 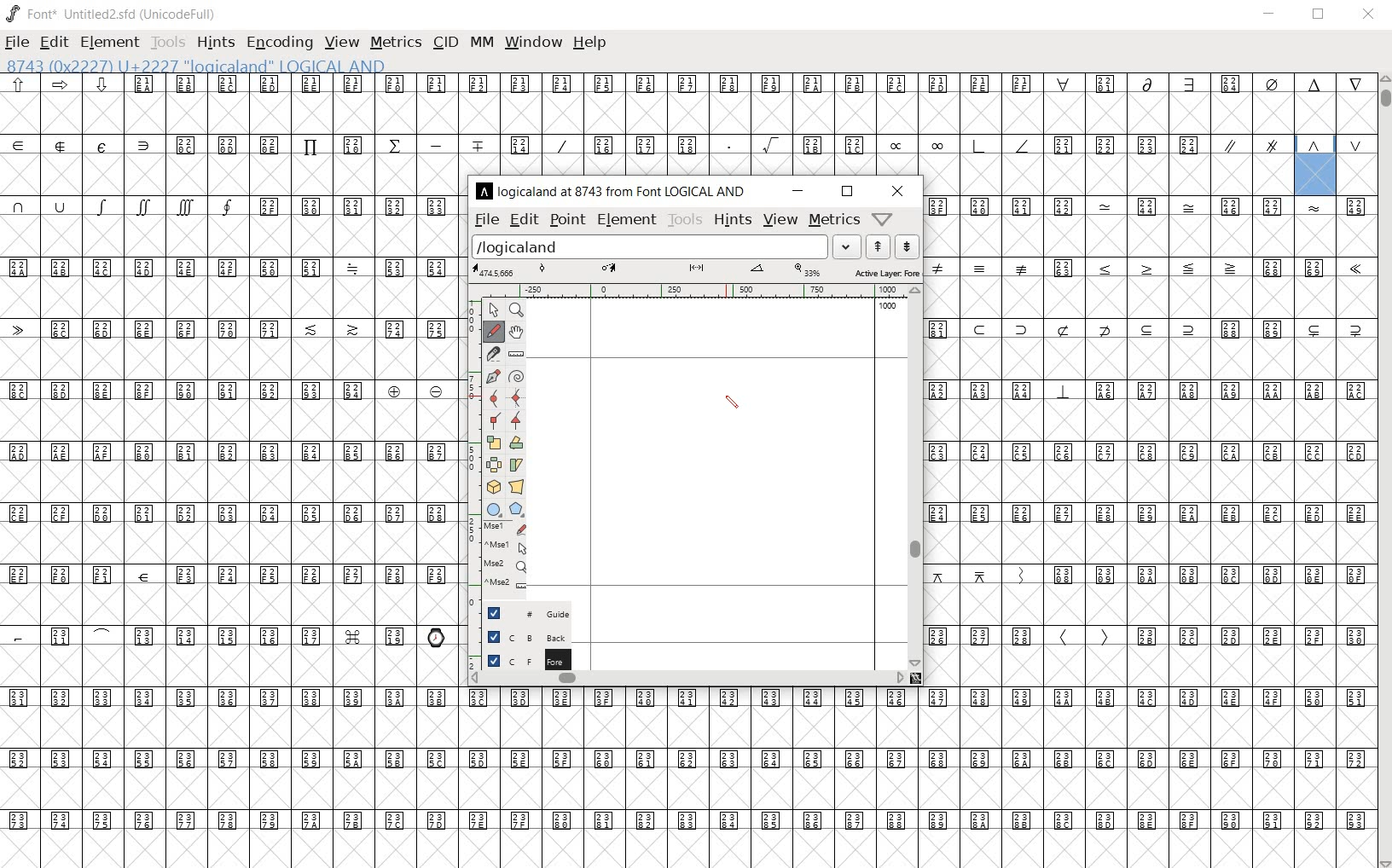 What do you see at coordinates (1319, 14) in the screenshot?
I see `restore` at bounding box center [1319, 14].